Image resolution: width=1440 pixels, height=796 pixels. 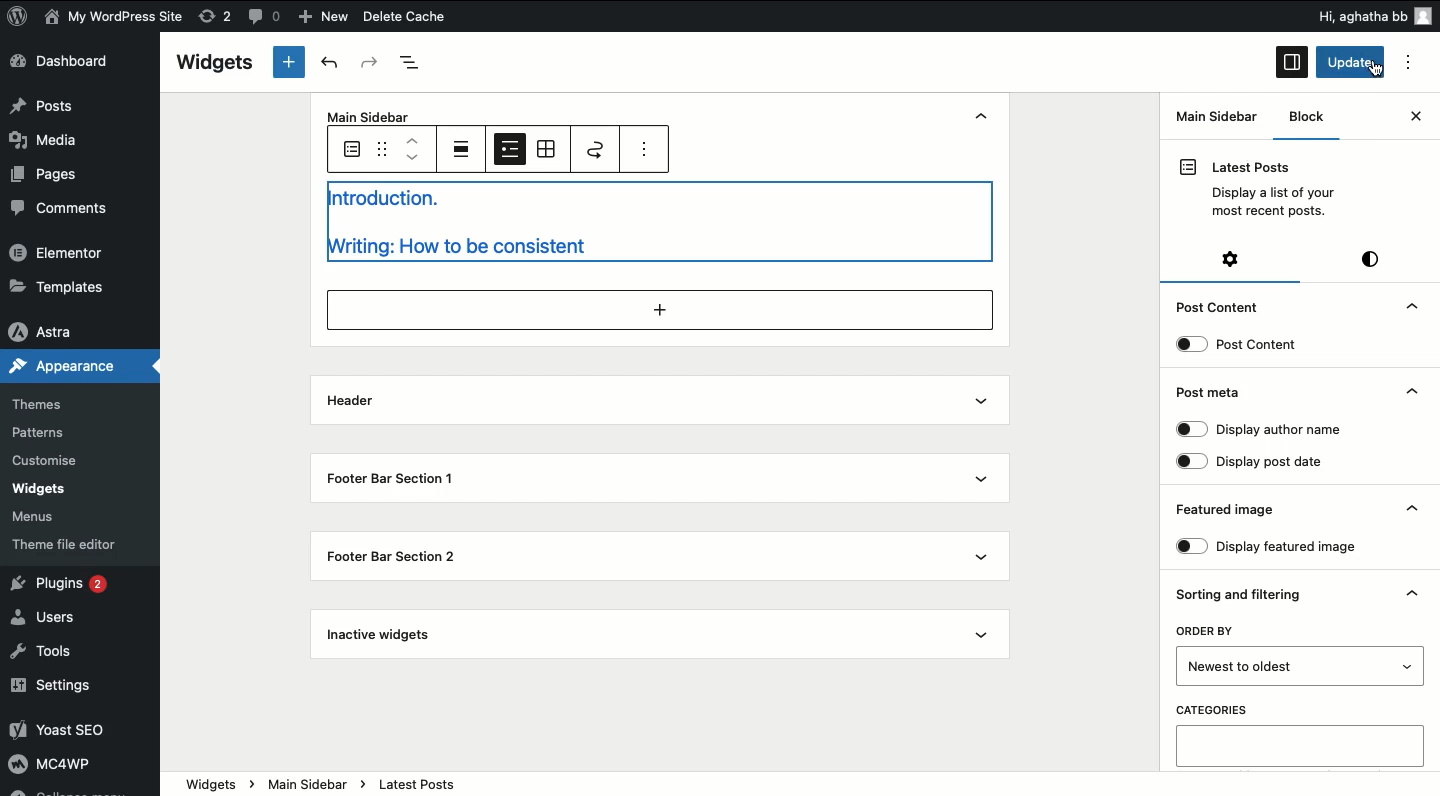 I want to click on CATEGORIES, so click(x=1212, y=709).